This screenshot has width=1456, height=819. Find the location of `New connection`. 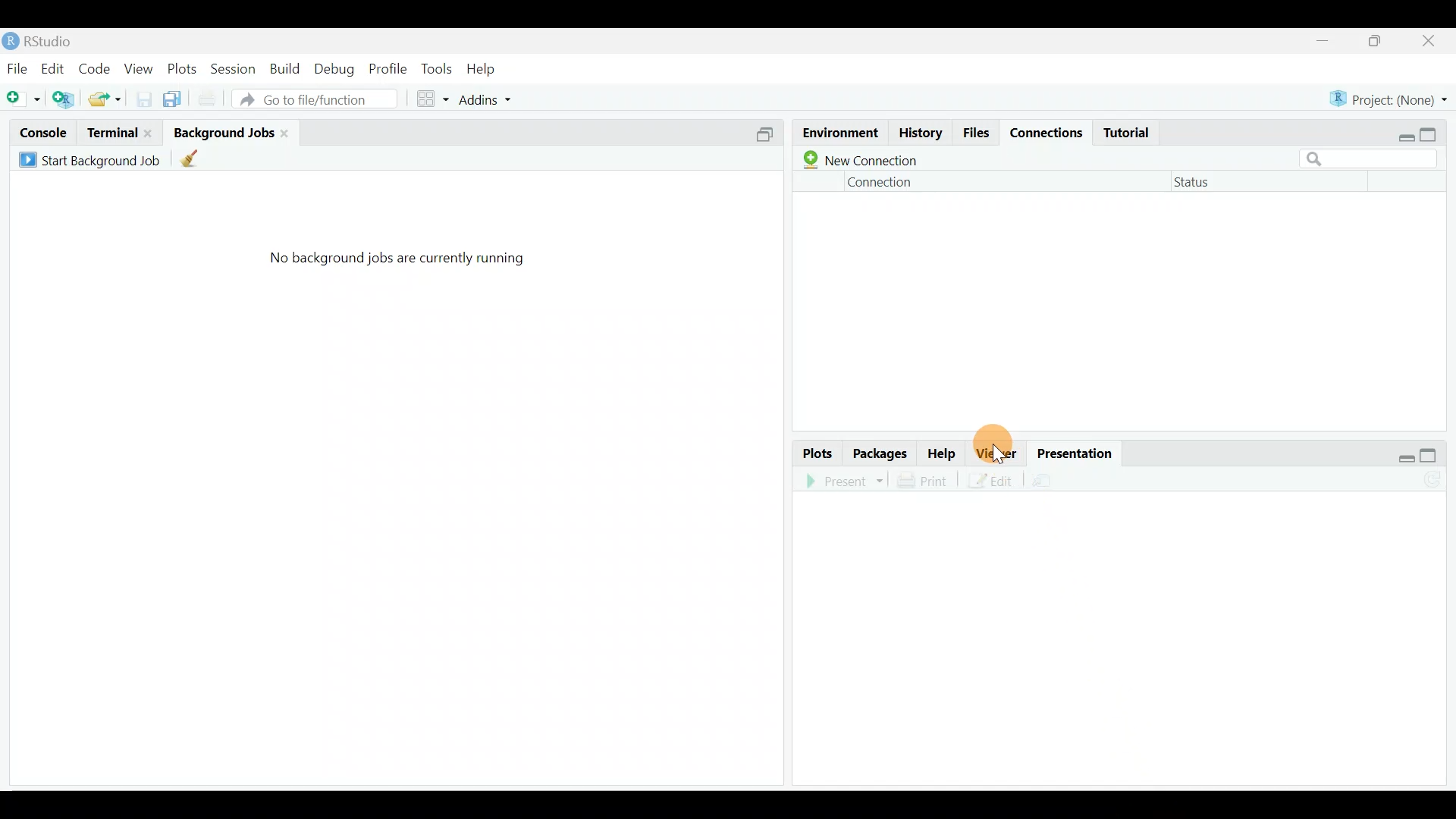

New connection is located at coordinates (857, 160).